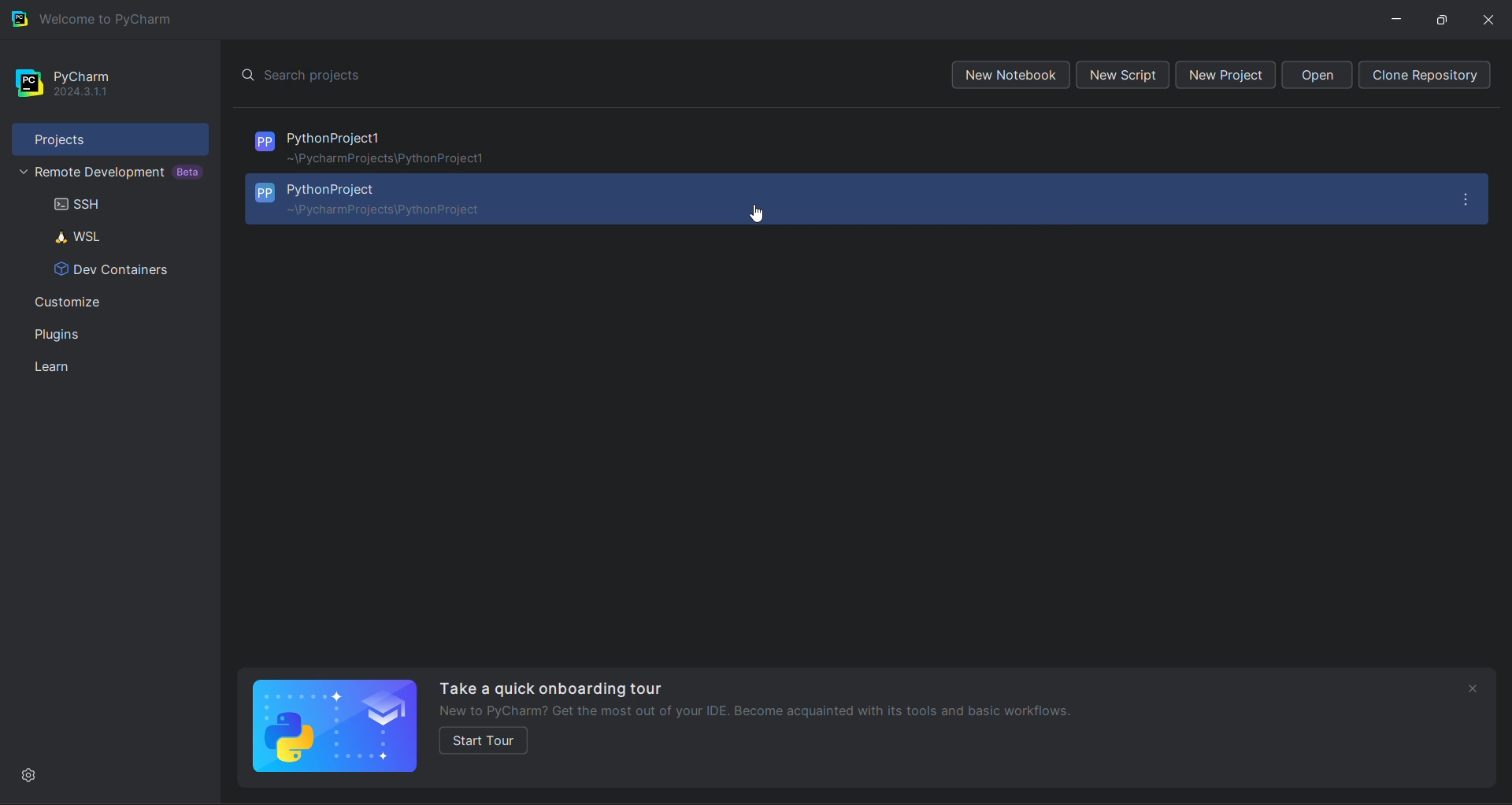 This screenshot has height=805, width=1512. What do you see at coordinates (1490, 17) in the screenshot?
I see `close` at bounding box center [1490, 17].